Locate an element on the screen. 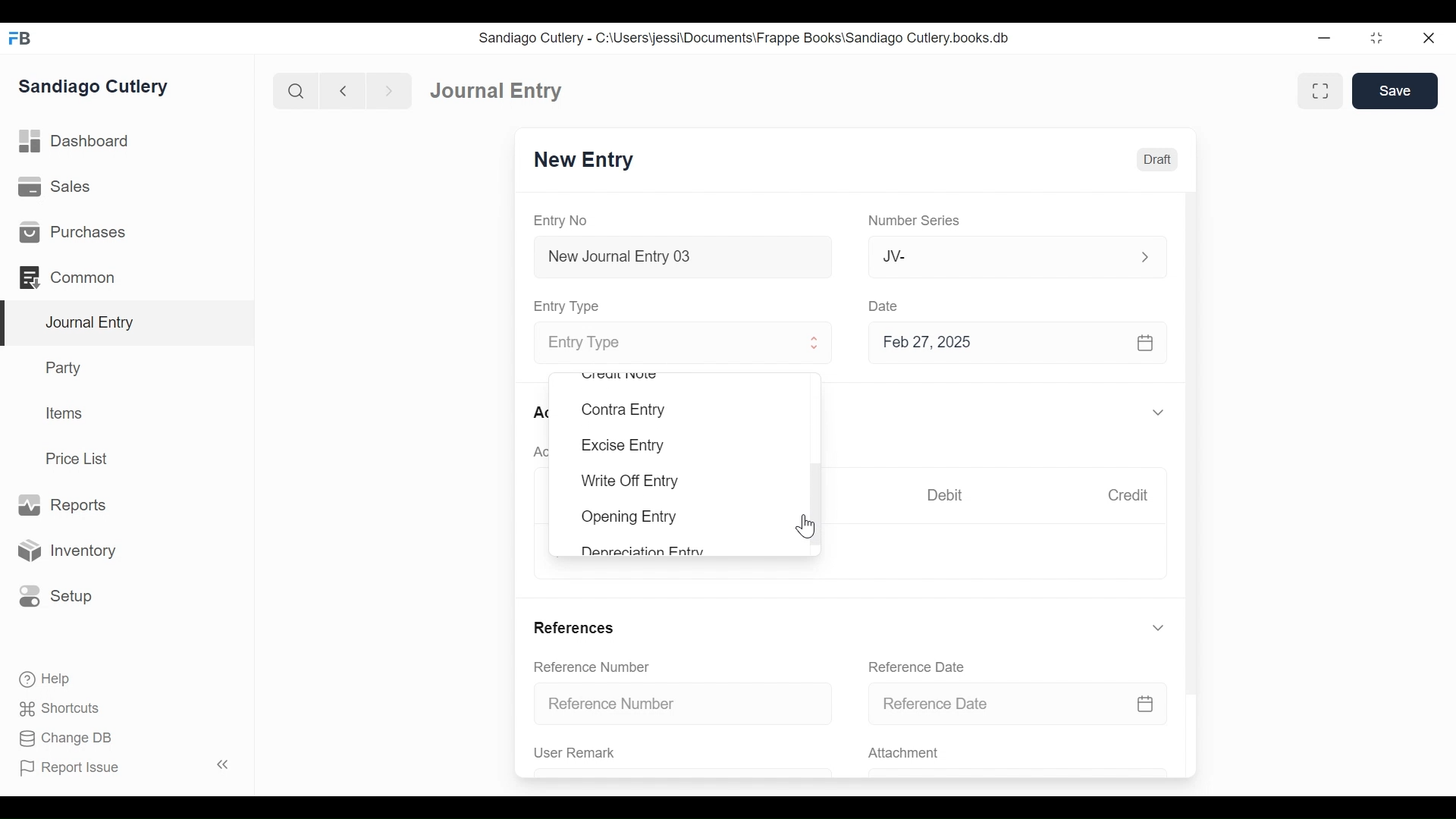 This screenshot has height=819, width=1456. Dashboard is located at coordinates (75, 142).